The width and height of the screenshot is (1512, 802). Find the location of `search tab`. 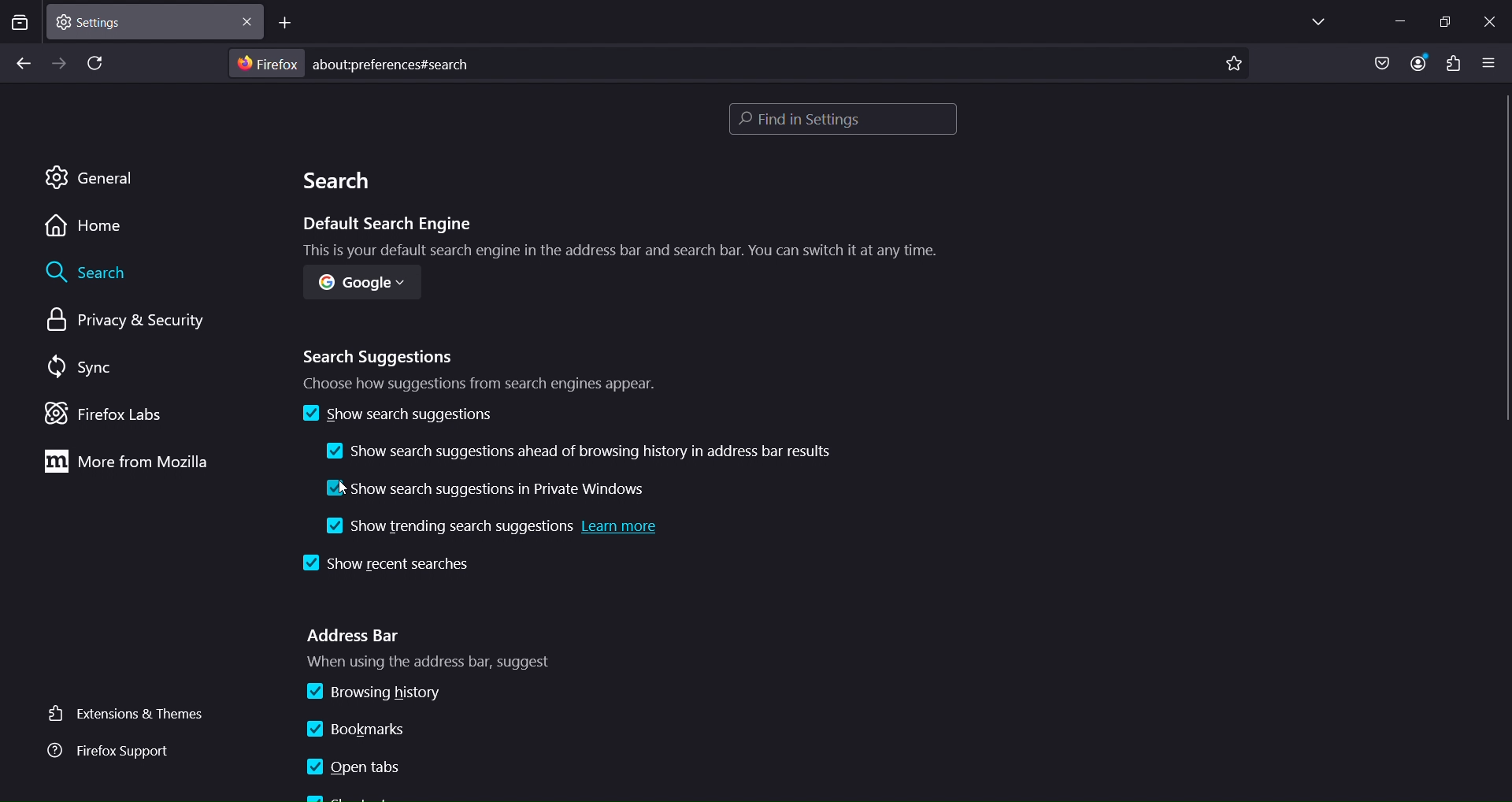

search tab is located at coordinates (20, 24).